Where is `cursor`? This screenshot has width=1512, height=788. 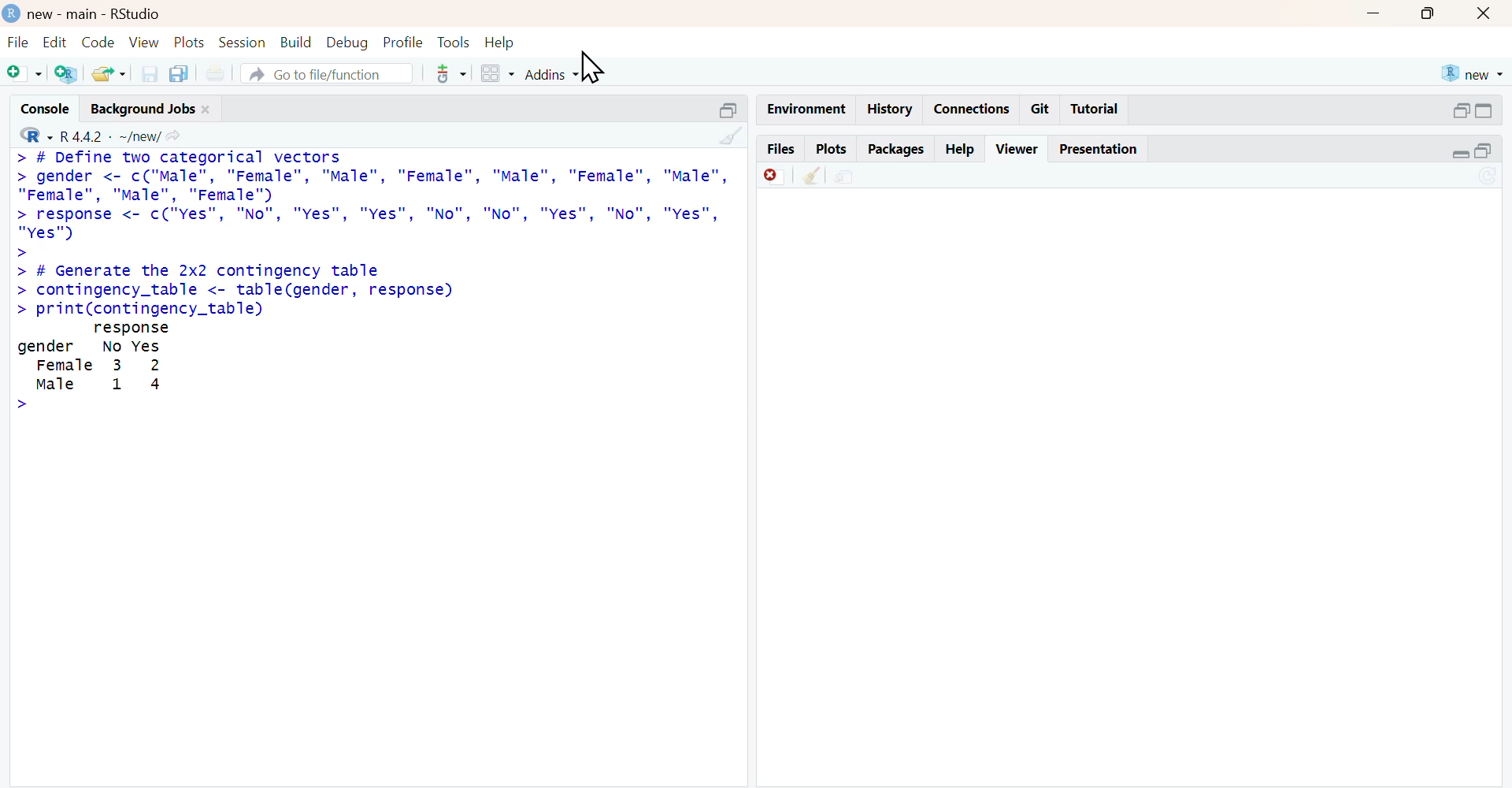
cursor is located at coordinates (592, 68).